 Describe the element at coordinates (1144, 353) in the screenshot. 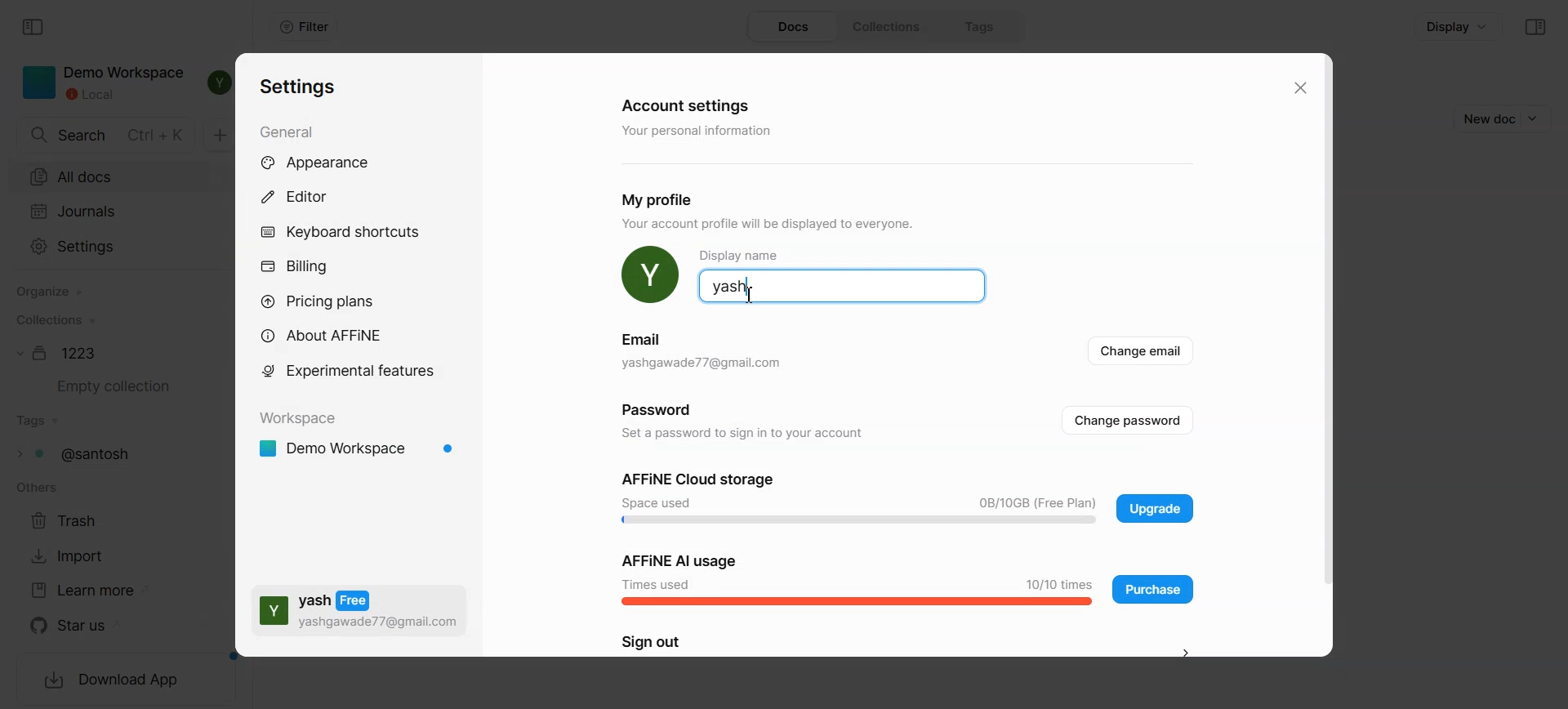

I see `Change email` at that location.